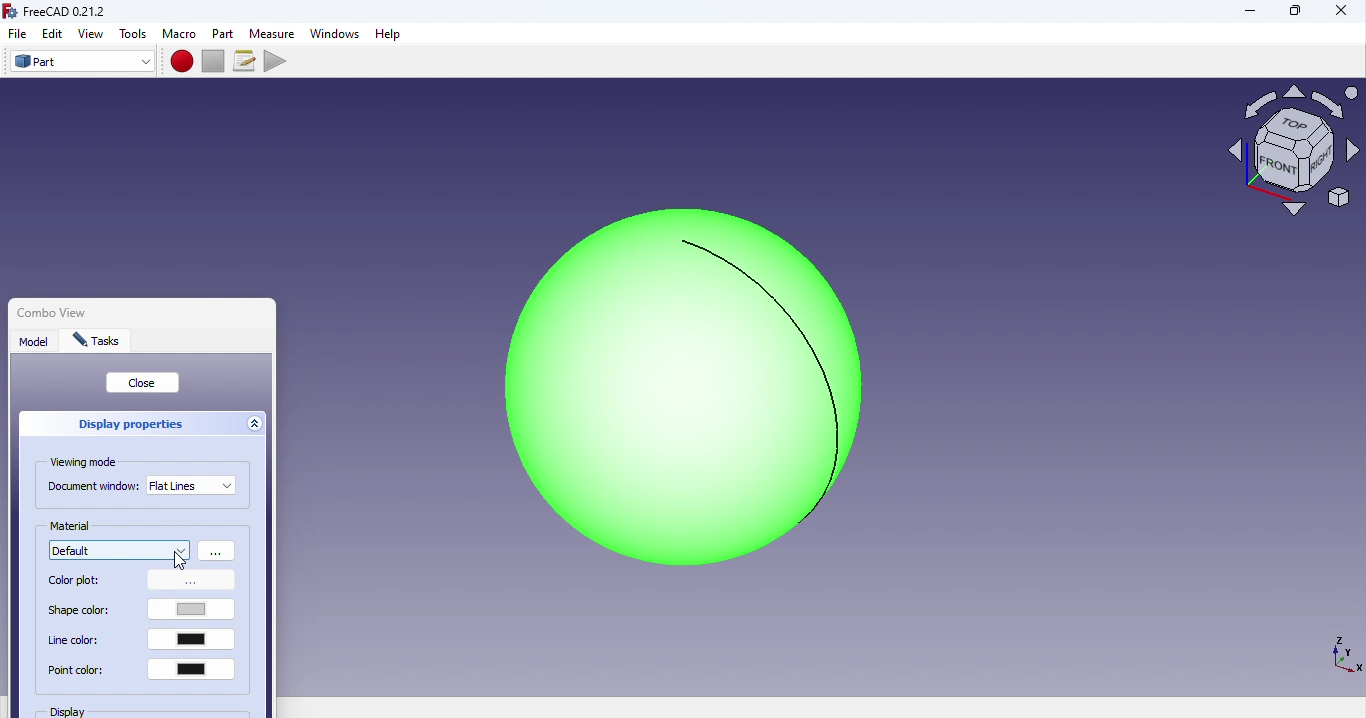  I want to click on Line color, so click(143, 641).